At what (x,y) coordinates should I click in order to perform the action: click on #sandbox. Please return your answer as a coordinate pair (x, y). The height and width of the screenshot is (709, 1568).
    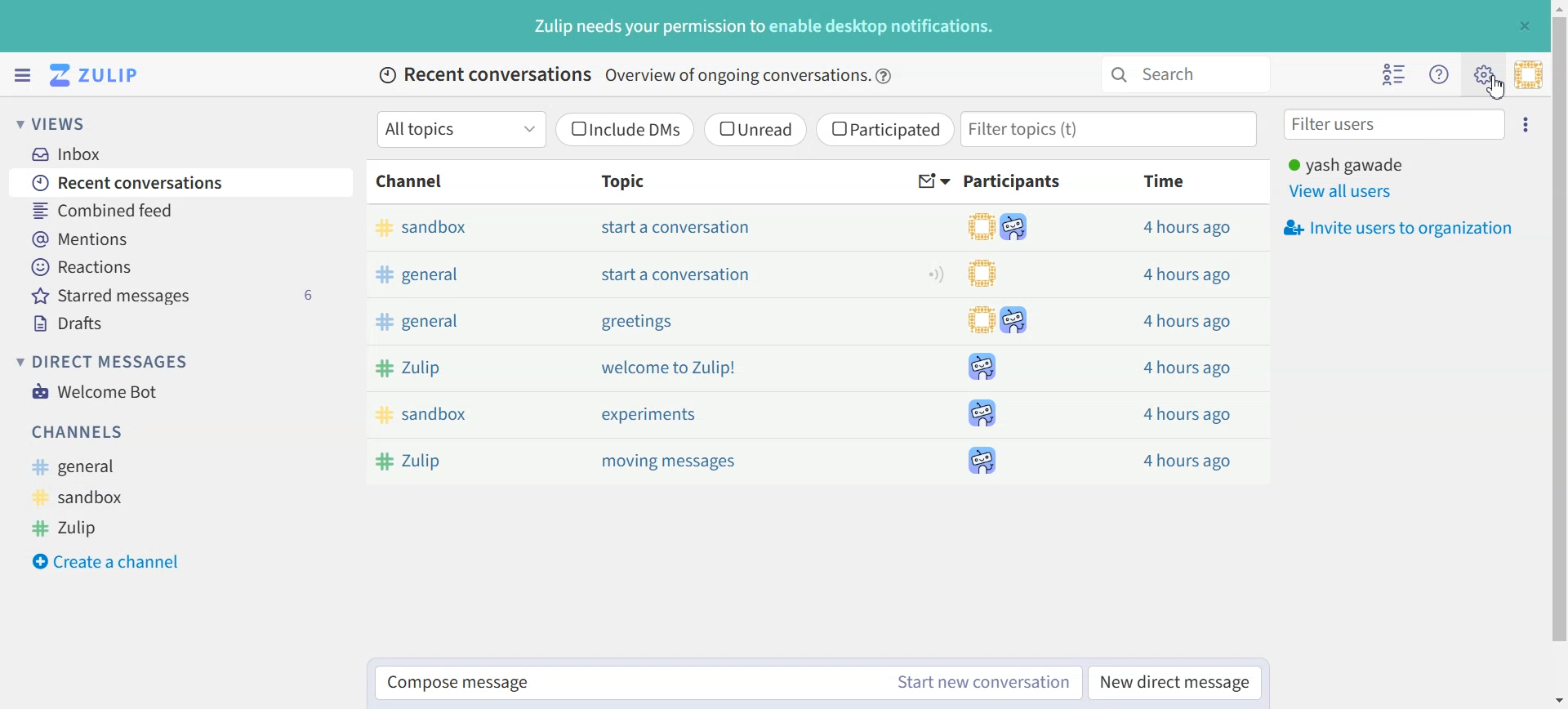
    Looking at the image, I should click on (470, 228).